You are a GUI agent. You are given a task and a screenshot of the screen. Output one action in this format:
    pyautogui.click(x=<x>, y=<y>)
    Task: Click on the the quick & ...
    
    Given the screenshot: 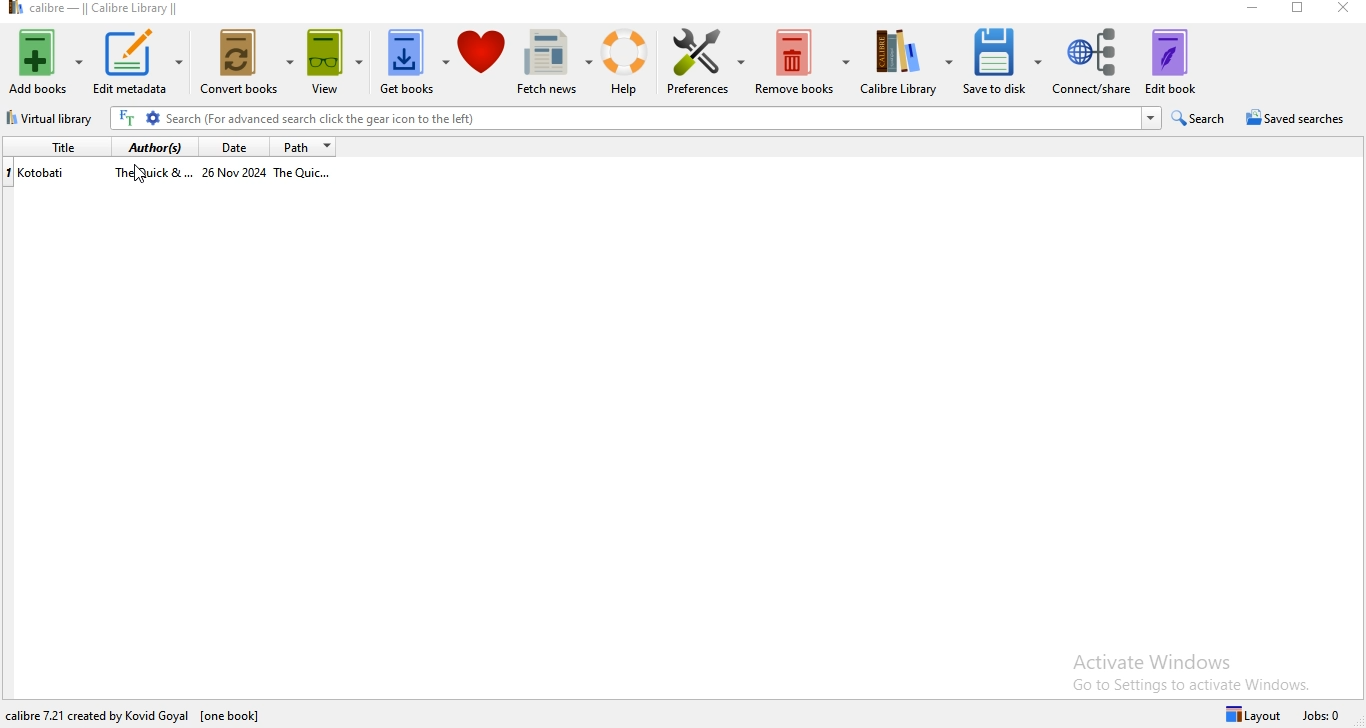 What is the action you would take?
    pyautogui.click(x=152, y=174)
    